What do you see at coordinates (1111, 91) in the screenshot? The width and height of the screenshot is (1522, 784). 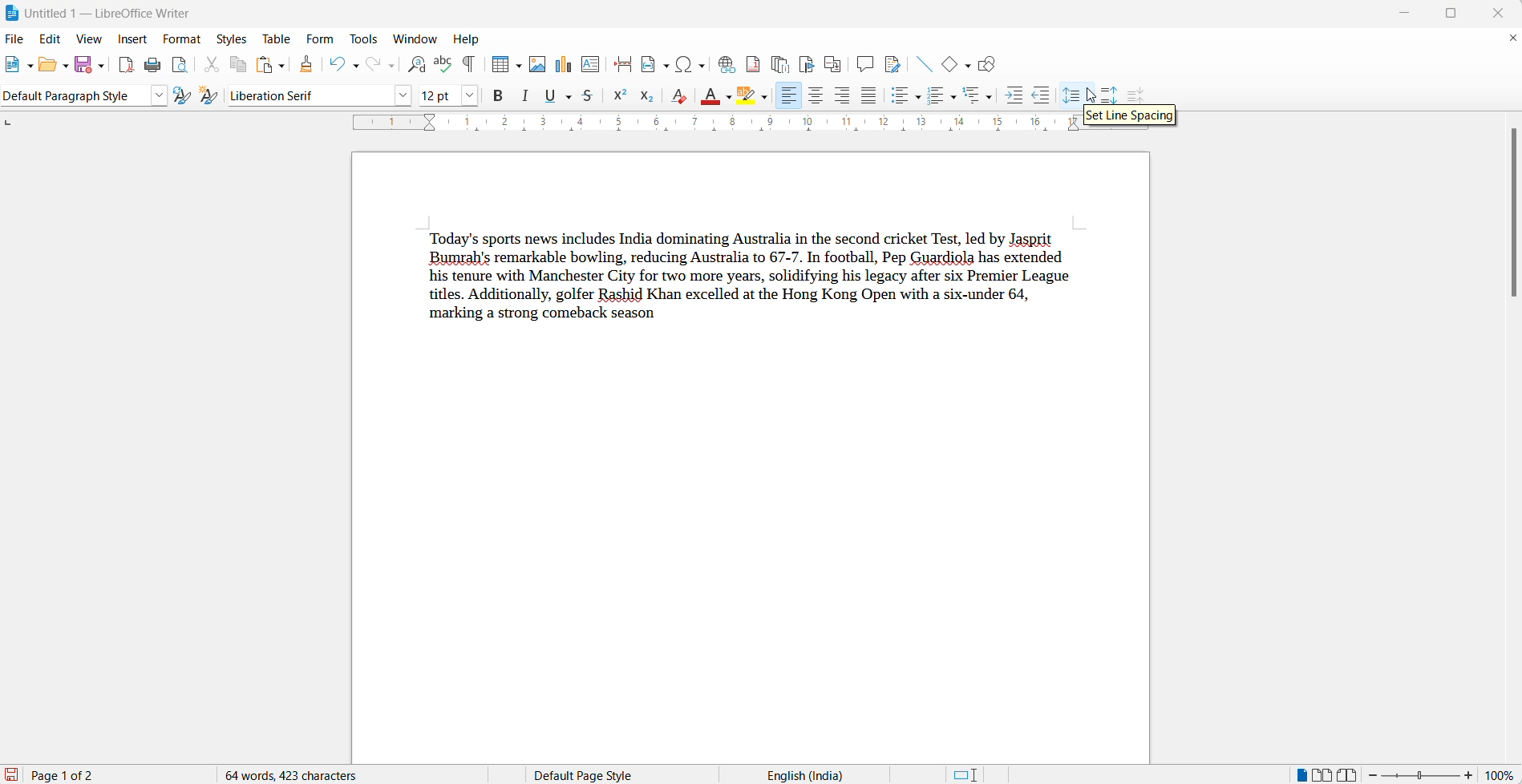 I see `increase paragraph spacing` at bounding box center [1111, 91].